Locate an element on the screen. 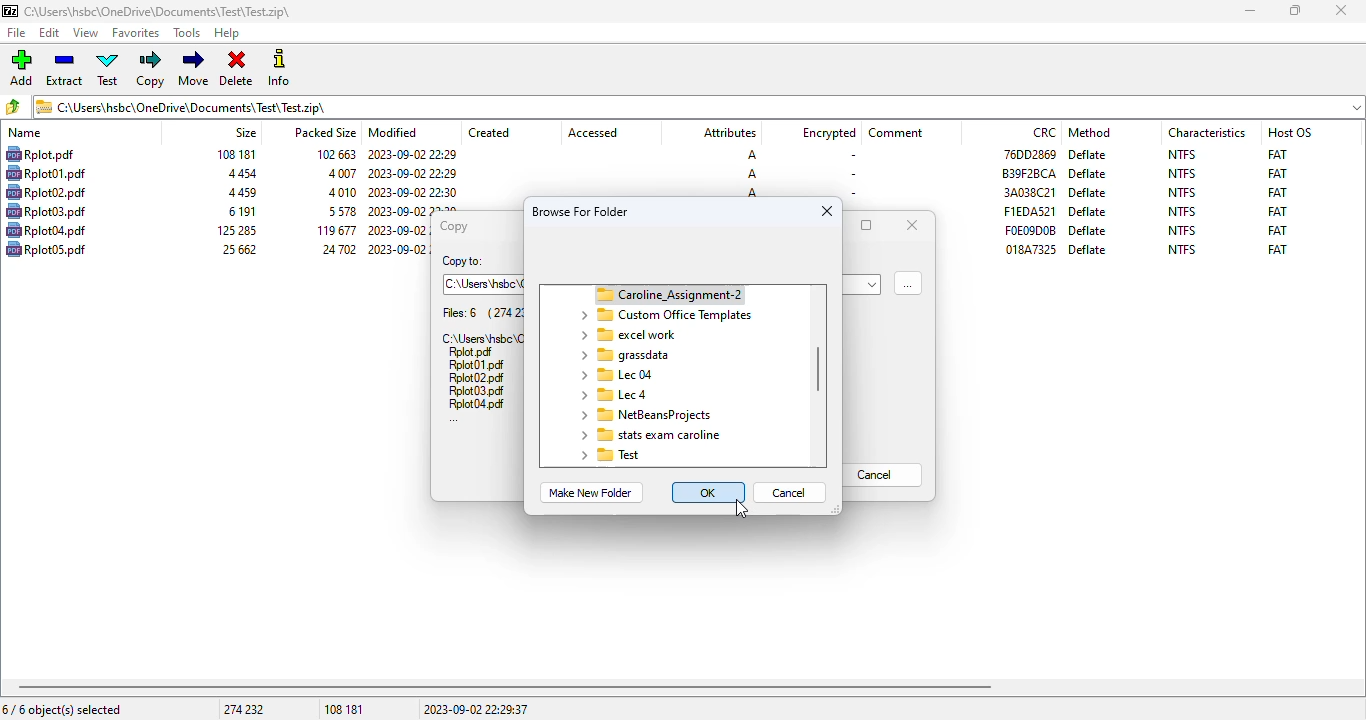 This screenshot has width=1366, height=720. A is located at coordinates (752, 174).